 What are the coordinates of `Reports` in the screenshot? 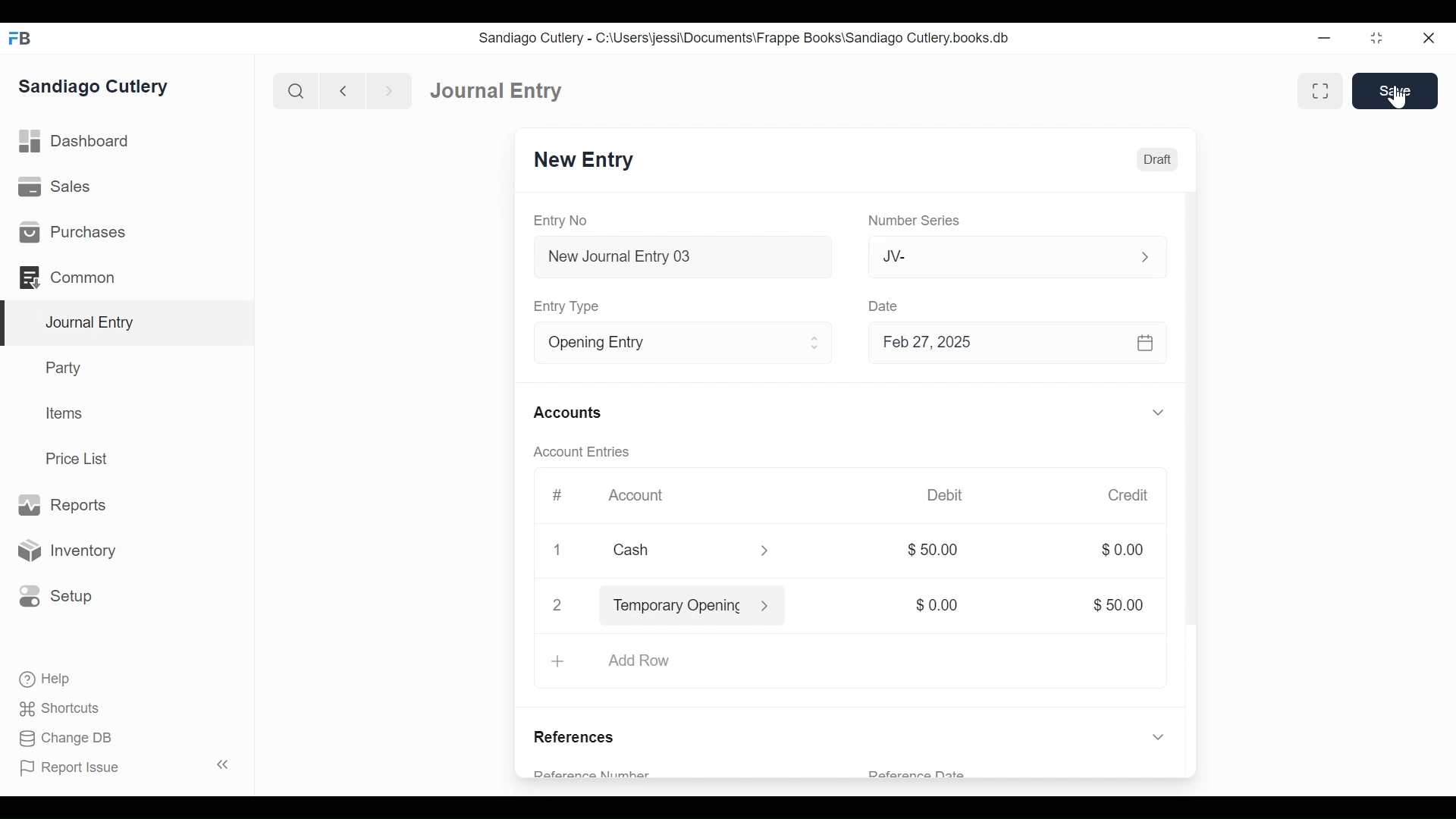 It's located at (67, 505).